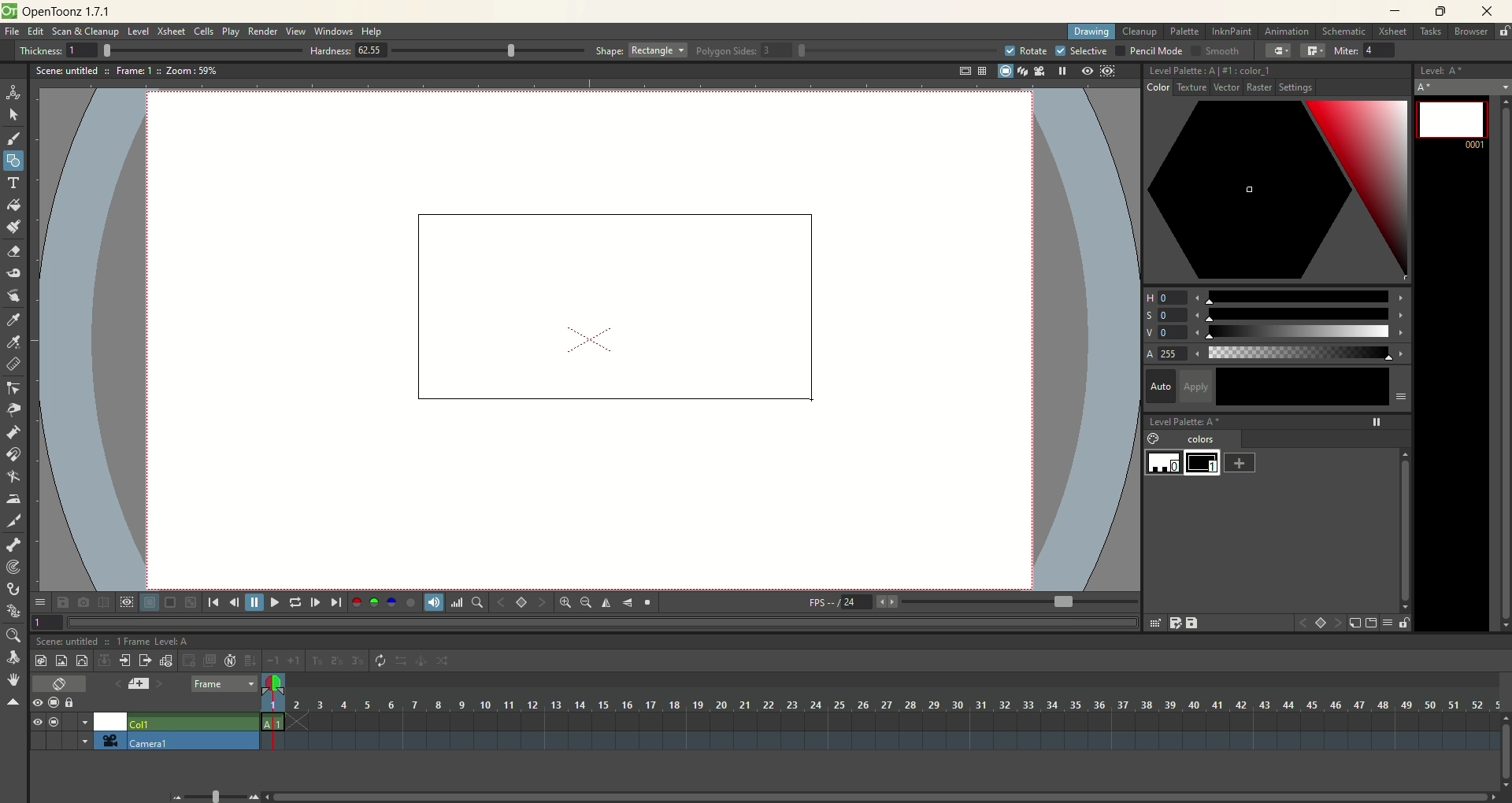  Describe the element at coordinates (314, 602) in the screenshot. I see `next frame` at that location.